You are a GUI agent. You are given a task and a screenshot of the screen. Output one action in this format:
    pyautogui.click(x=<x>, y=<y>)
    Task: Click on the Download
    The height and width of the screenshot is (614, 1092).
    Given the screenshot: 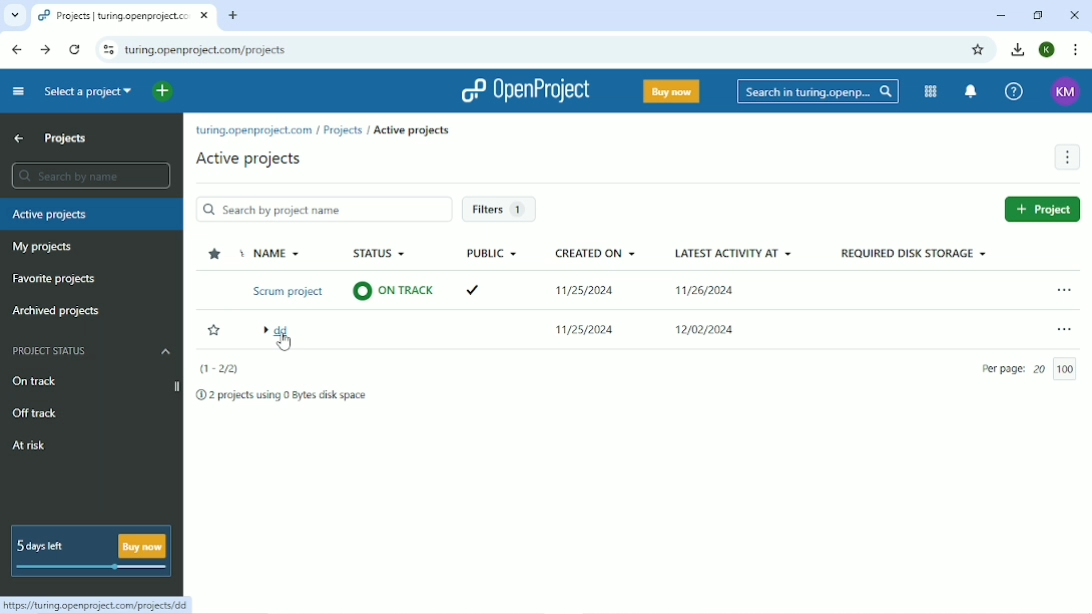 What is the action you would take?
    pyautogui.click(x=1016, y=49)
    